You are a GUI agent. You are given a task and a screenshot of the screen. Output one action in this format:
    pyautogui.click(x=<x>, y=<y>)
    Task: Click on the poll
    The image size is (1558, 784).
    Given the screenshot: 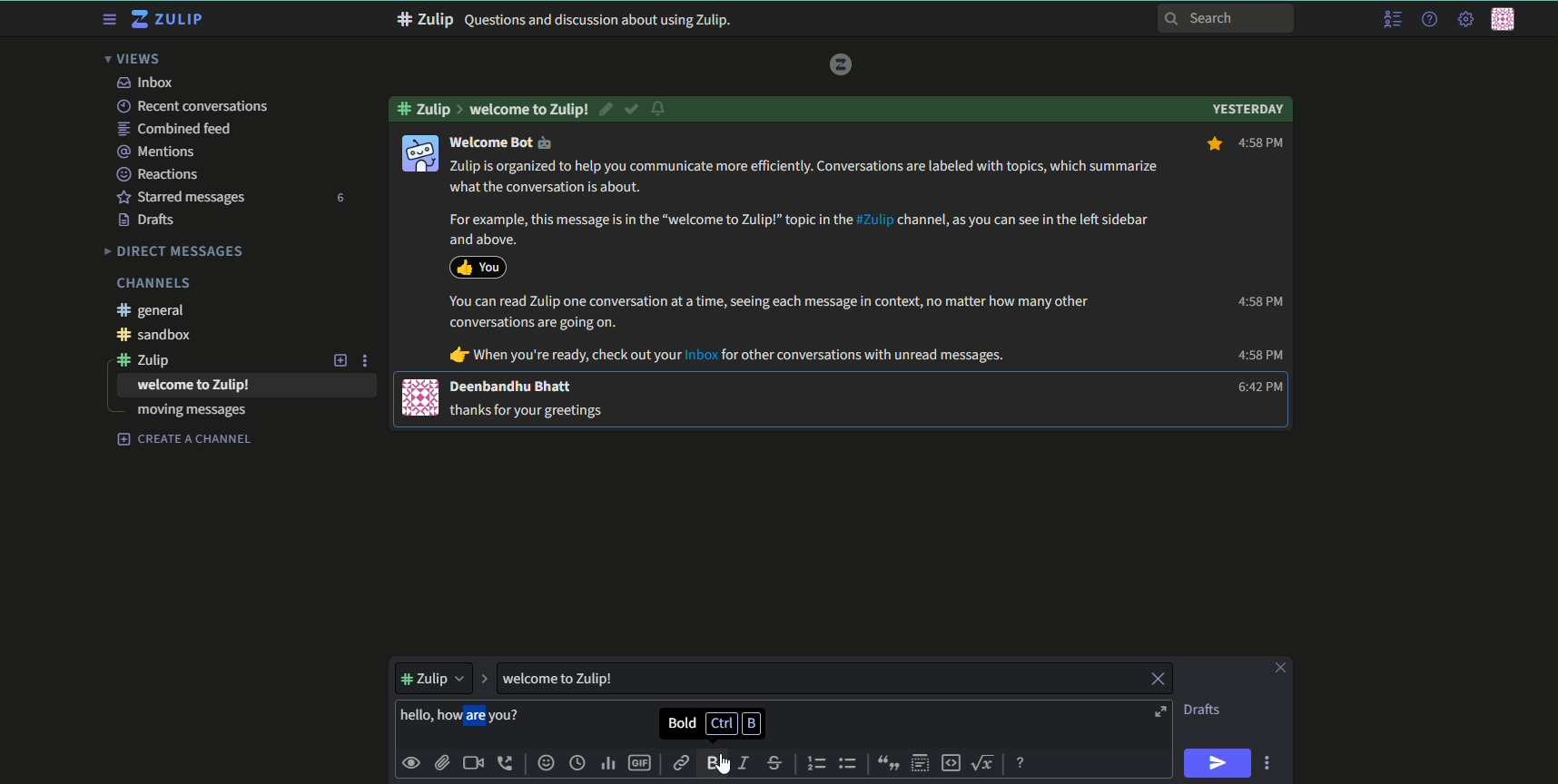 What is the action you would take?
    pyautogui.click(x=610, y=765)
    